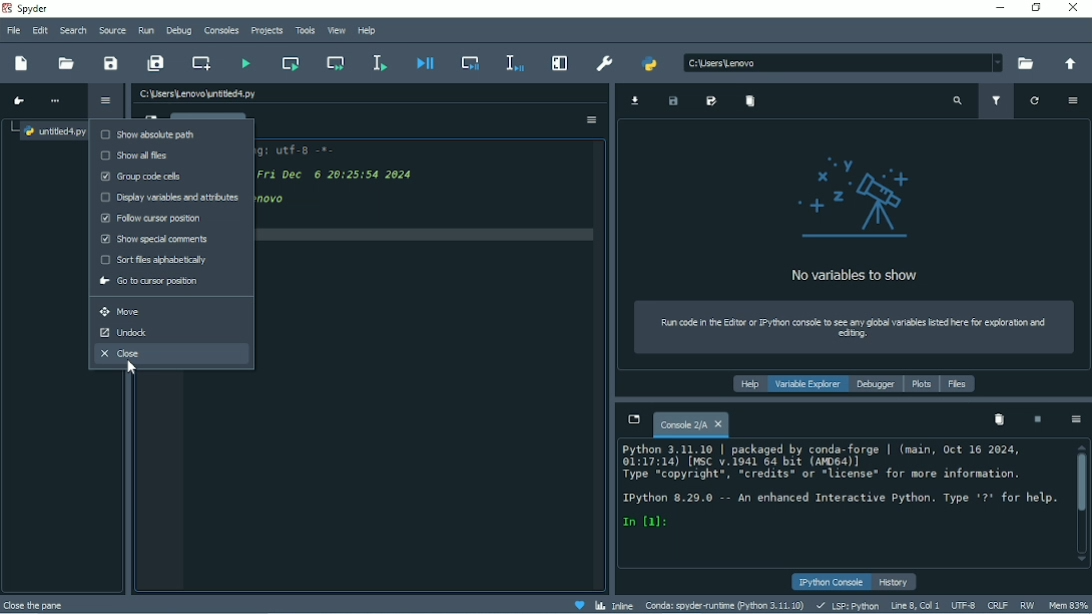 Image resolution: width=1092 pixels, height=614 pixels. What do you see at coordinates (710, 101) in the screenshot?
I see `Save data as` at bounding box center [710, 101].